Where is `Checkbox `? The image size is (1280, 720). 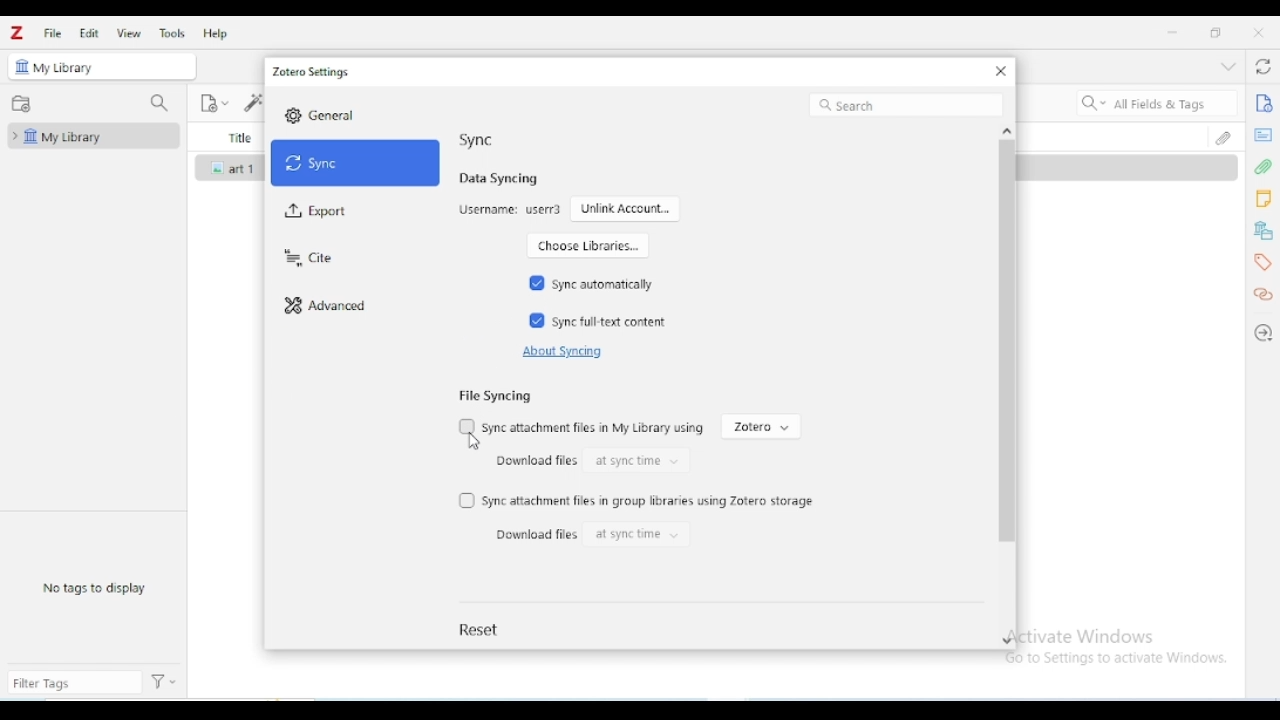
Checkbox  is located at coordinates (467, 501).